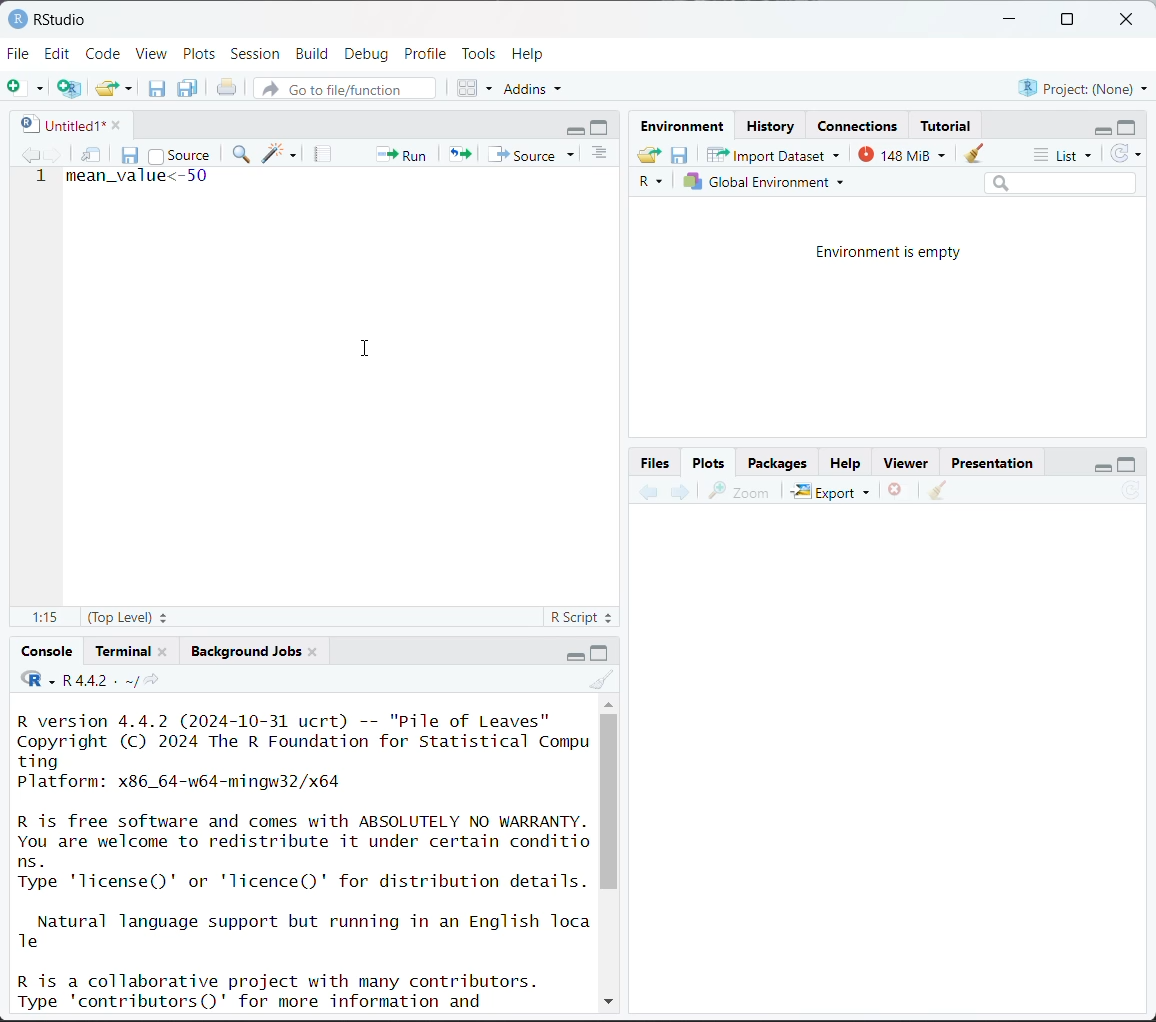 The width and height of the screenshot is (1156, 1022). Describe the element at coordinates (1128, 126) in the screenshot. I see `maximize` at that location.